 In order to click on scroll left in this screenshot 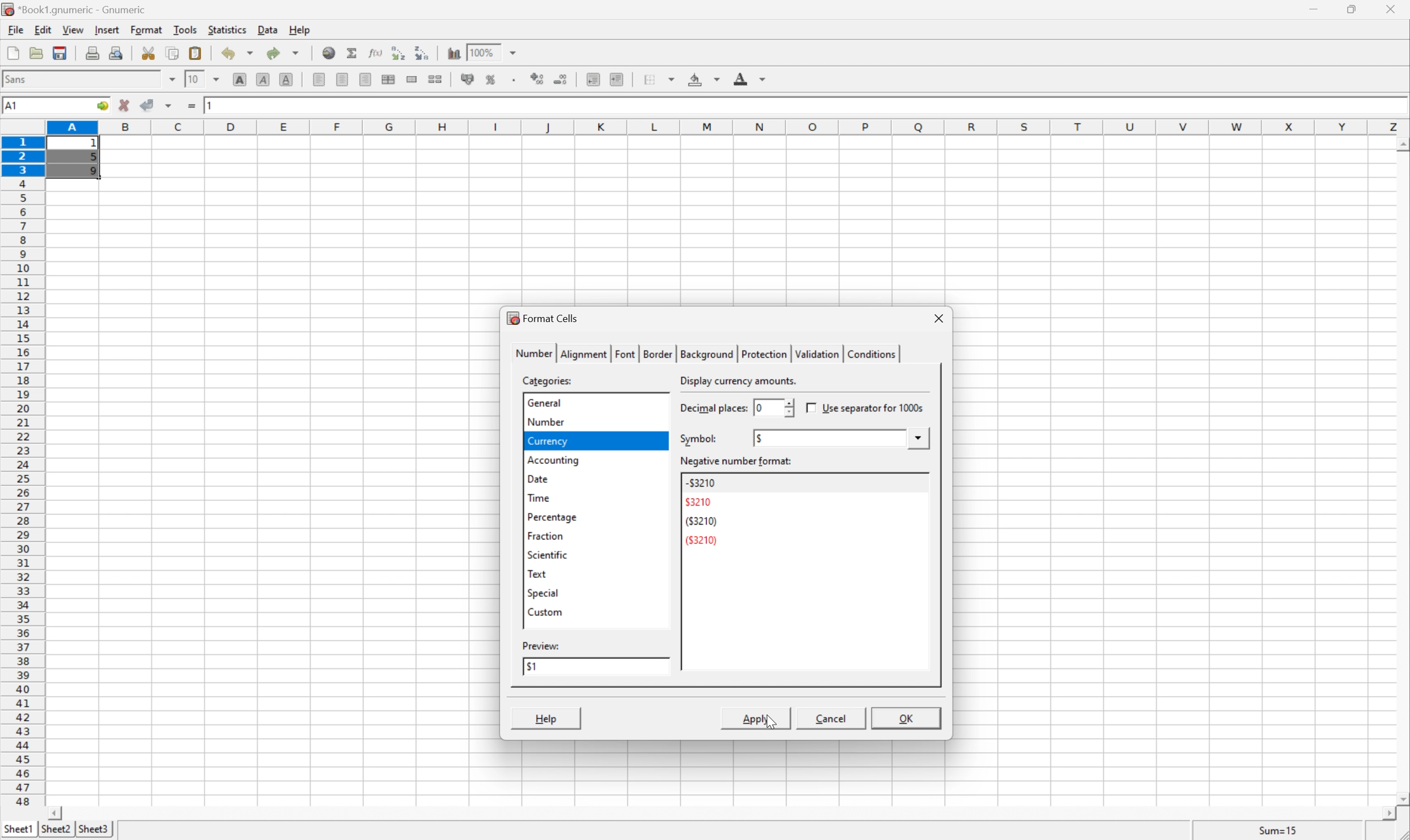, I will do `click(54, 814)`.